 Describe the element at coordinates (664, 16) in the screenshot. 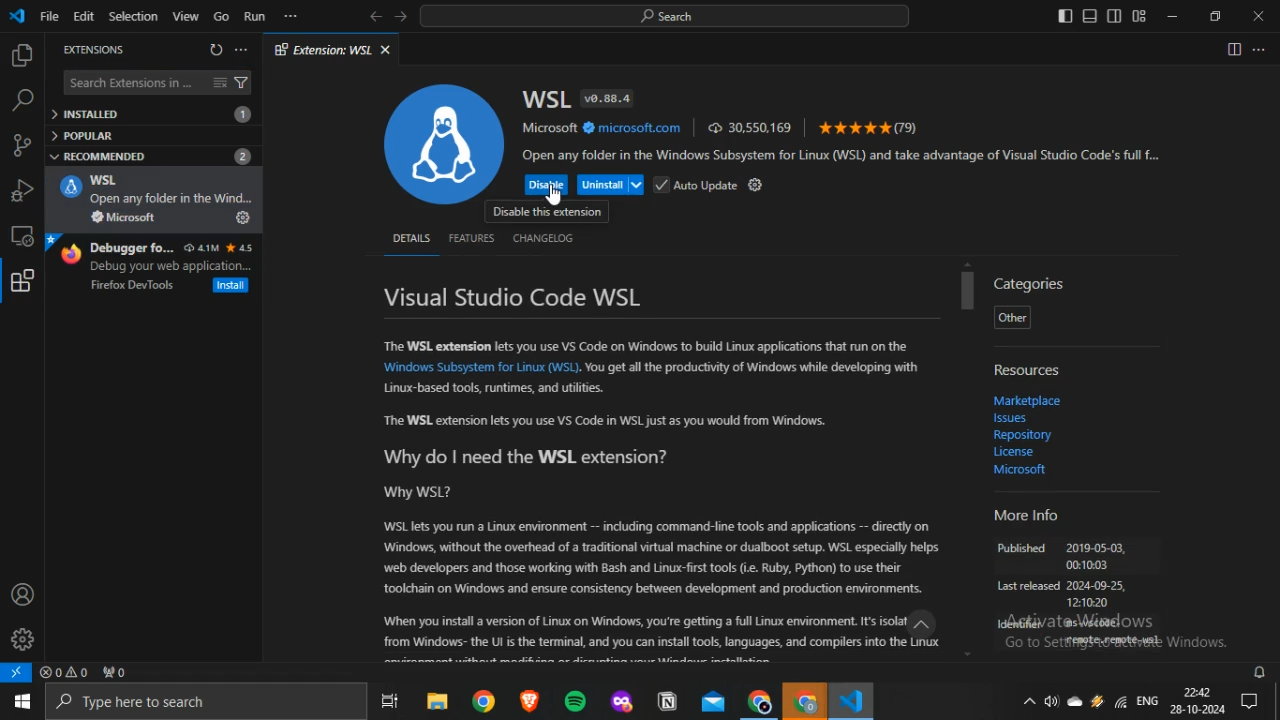

I see `search` at that location.